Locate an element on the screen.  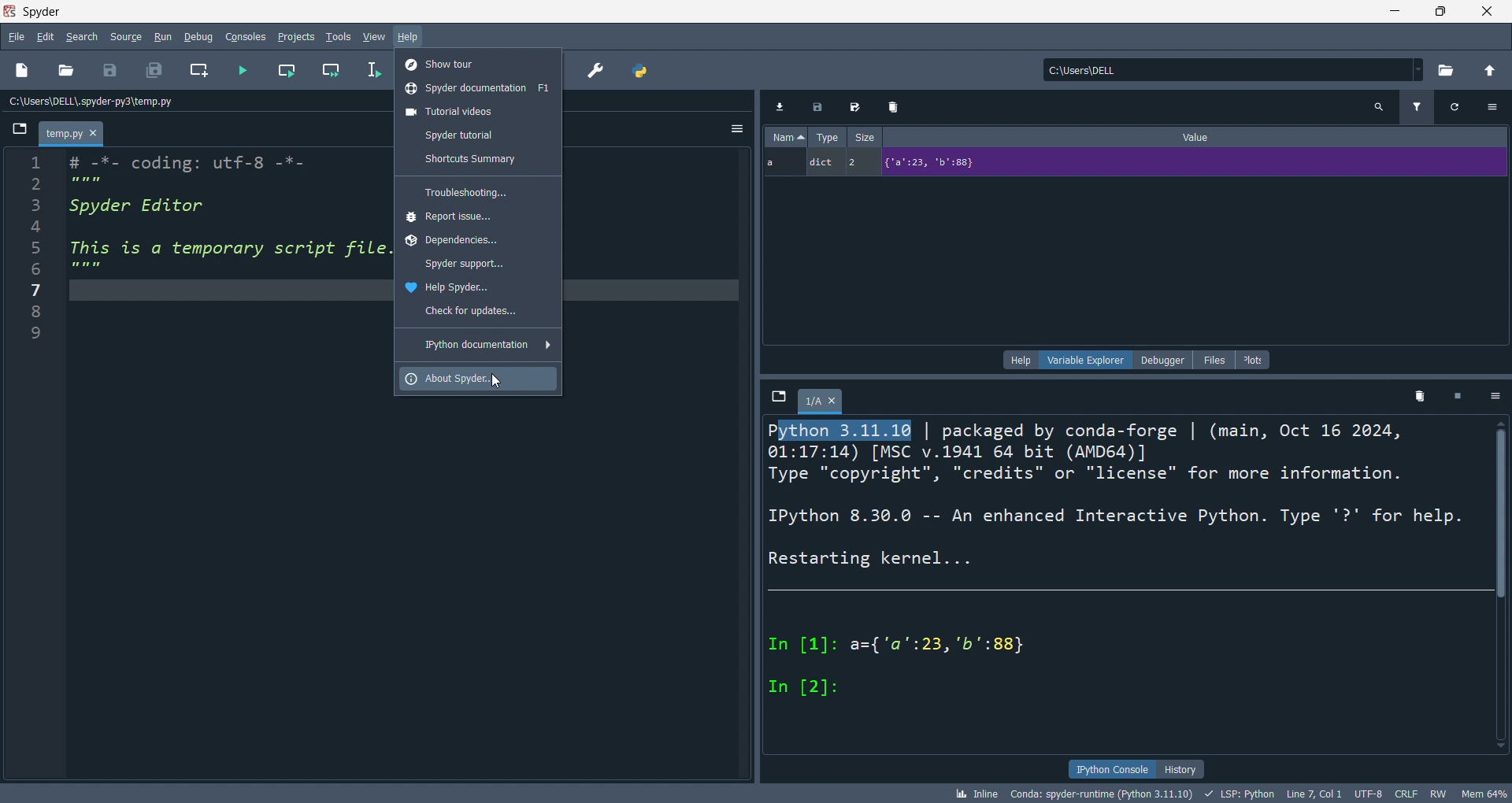
current directory is located at coordinates (1234, 69).